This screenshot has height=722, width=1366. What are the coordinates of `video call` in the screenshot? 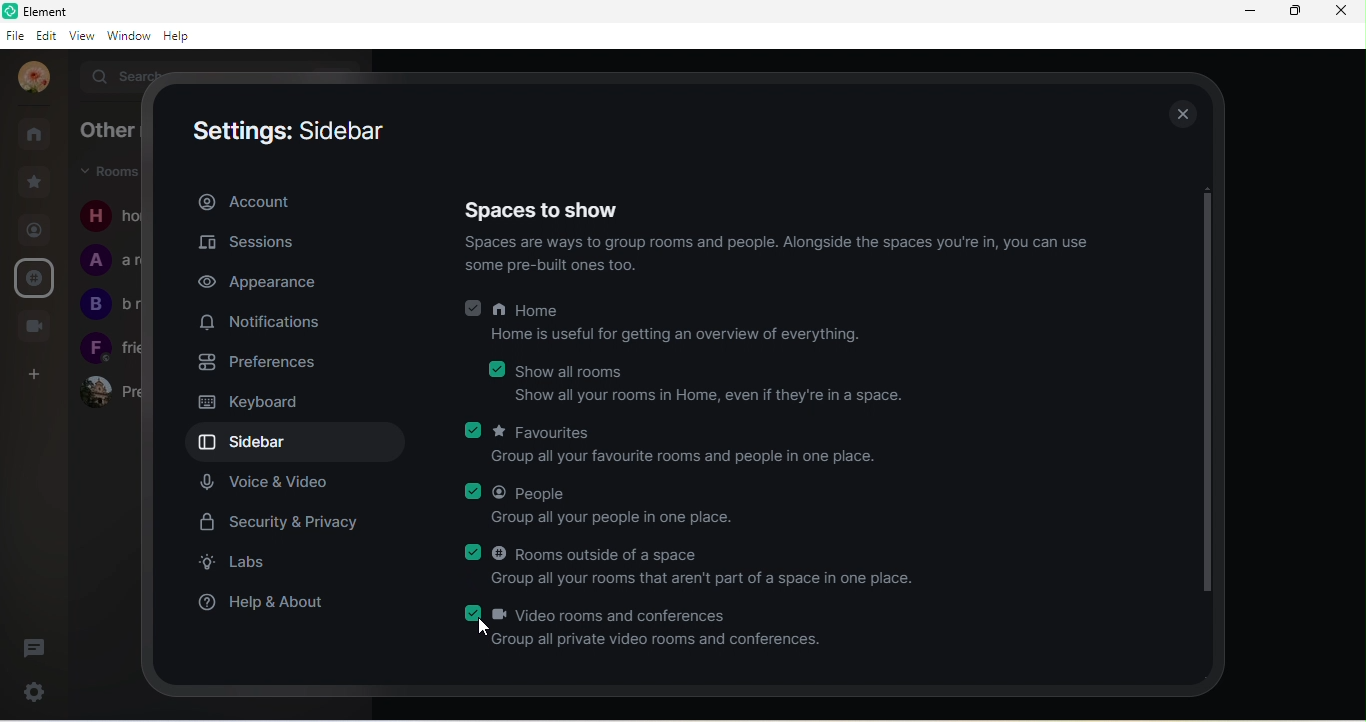 It's located at (37, 325).